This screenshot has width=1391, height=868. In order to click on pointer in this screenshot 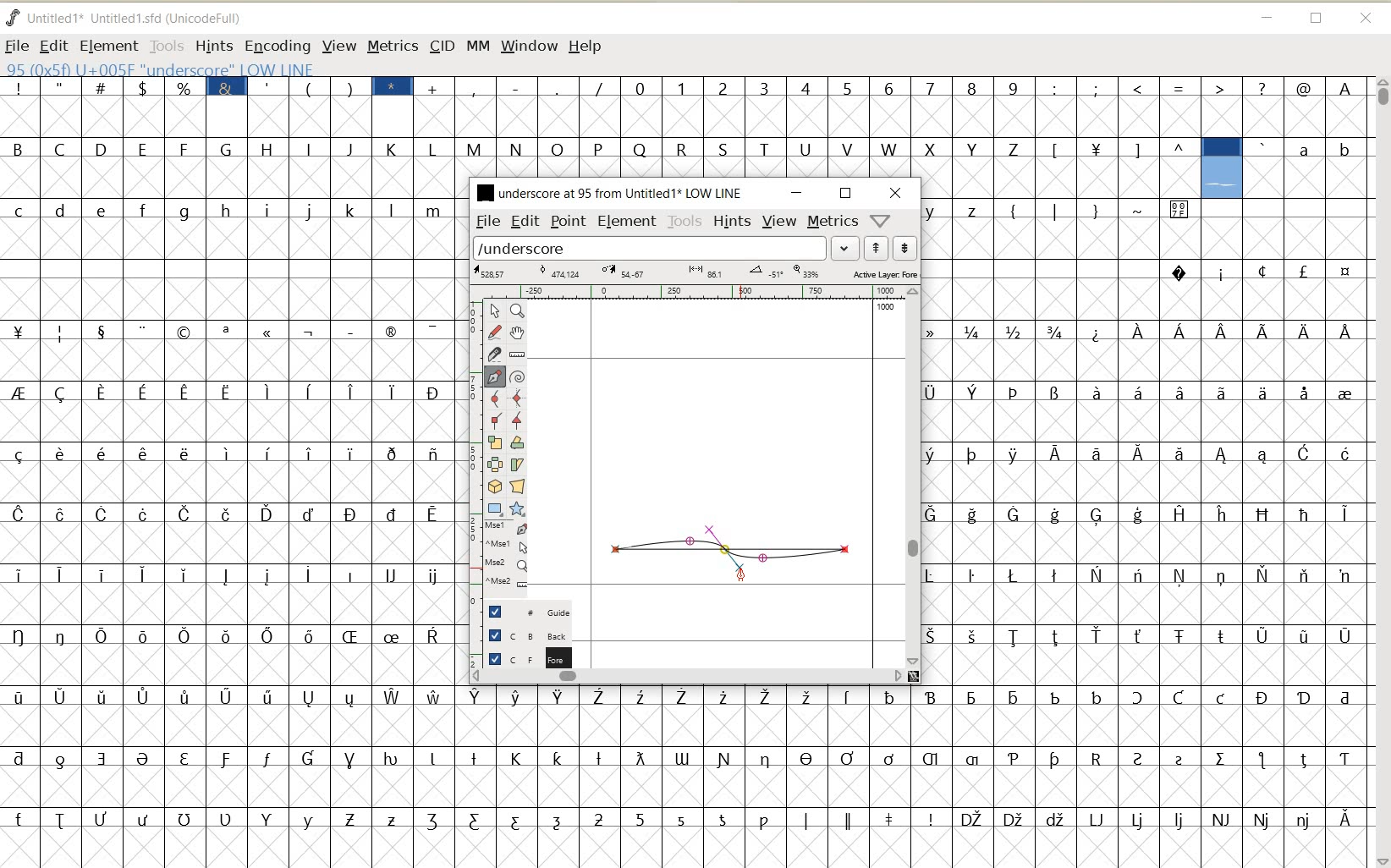, I will do `click(493, 311)`.